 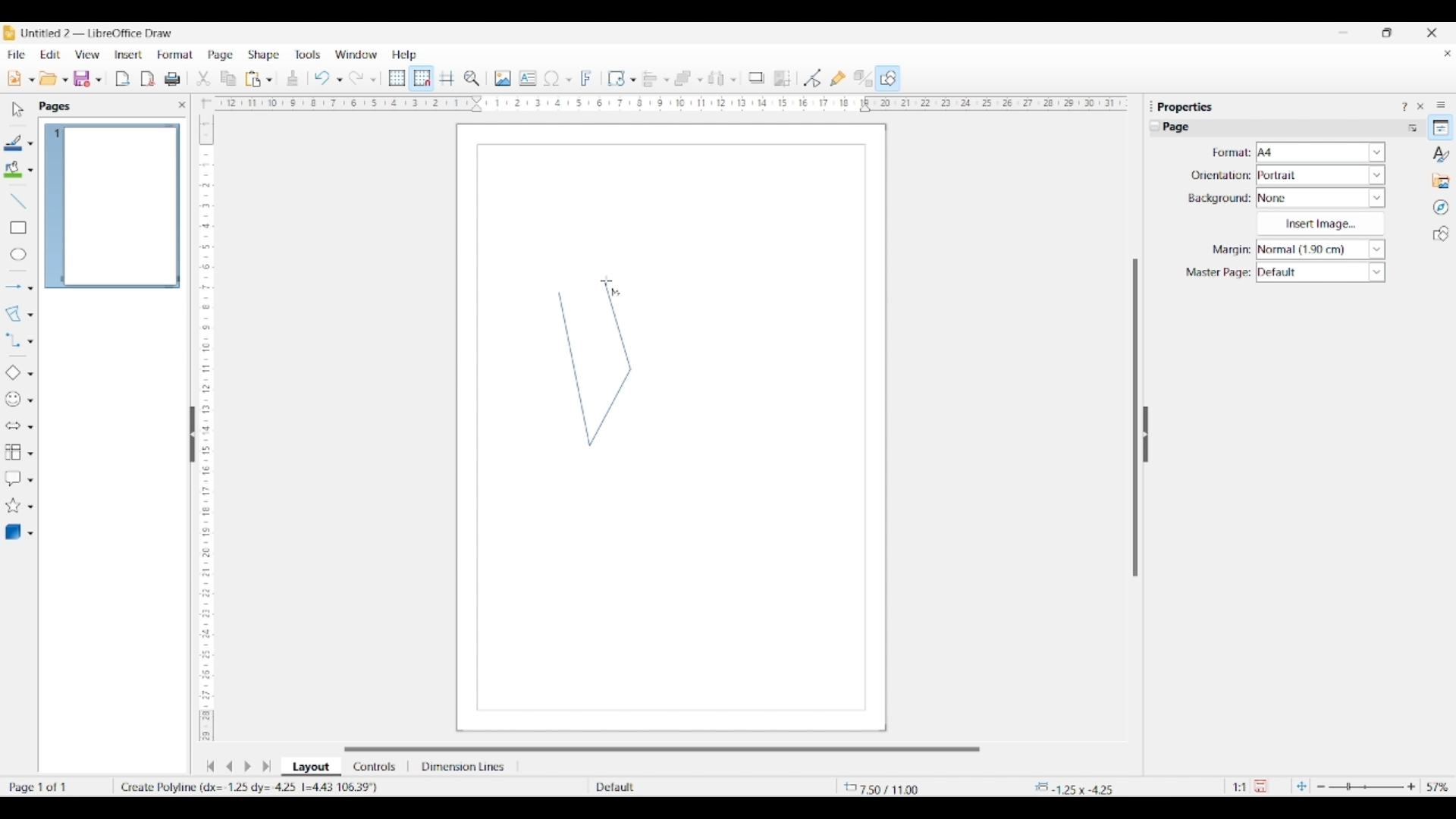 What do you see at coordinates (397, 79) in the screenshot?
I see `Display grid` at bounding box center [397, 79].